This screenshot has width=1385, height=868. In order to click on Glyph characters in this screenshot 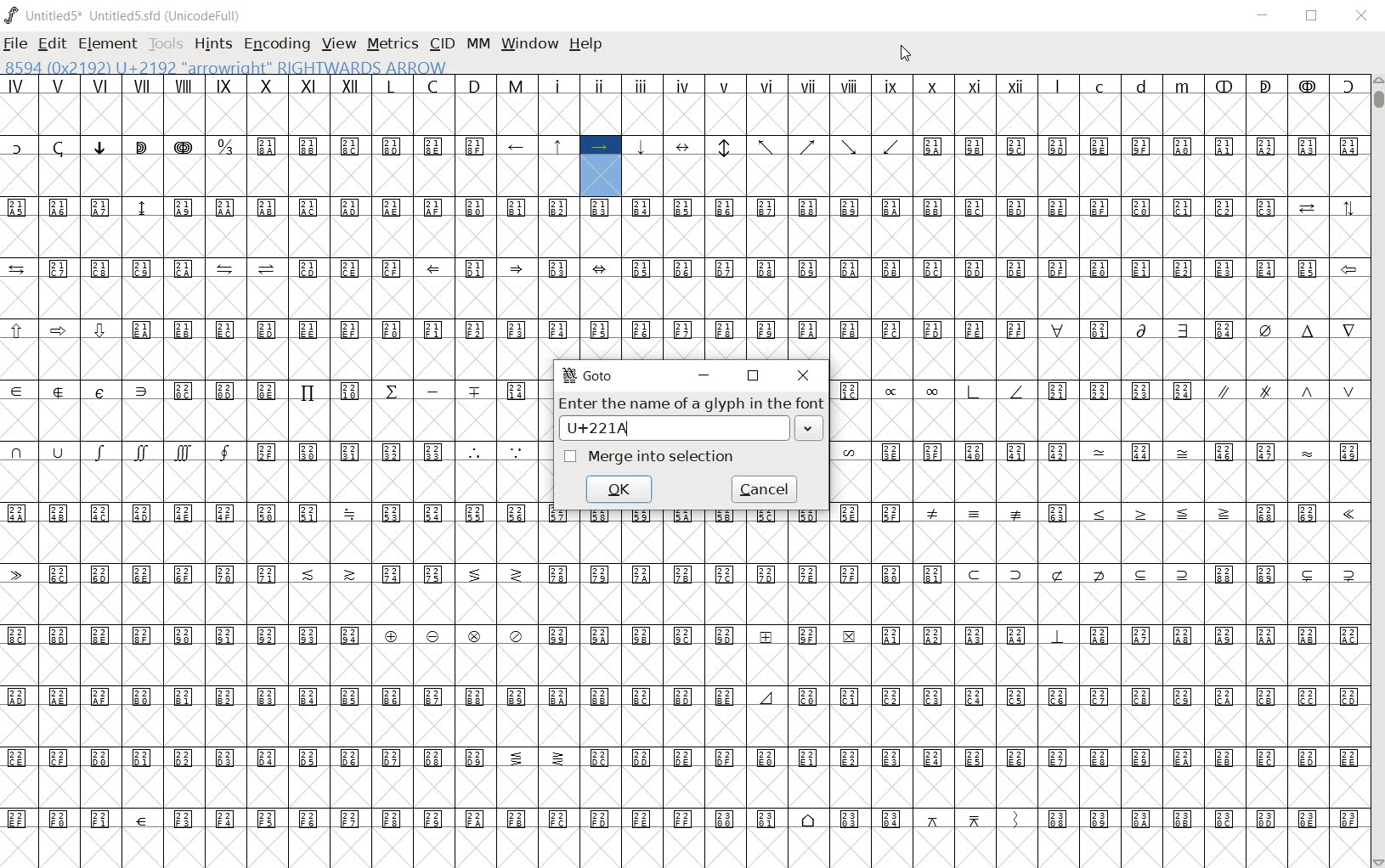, I will do `click(953, 716)`.